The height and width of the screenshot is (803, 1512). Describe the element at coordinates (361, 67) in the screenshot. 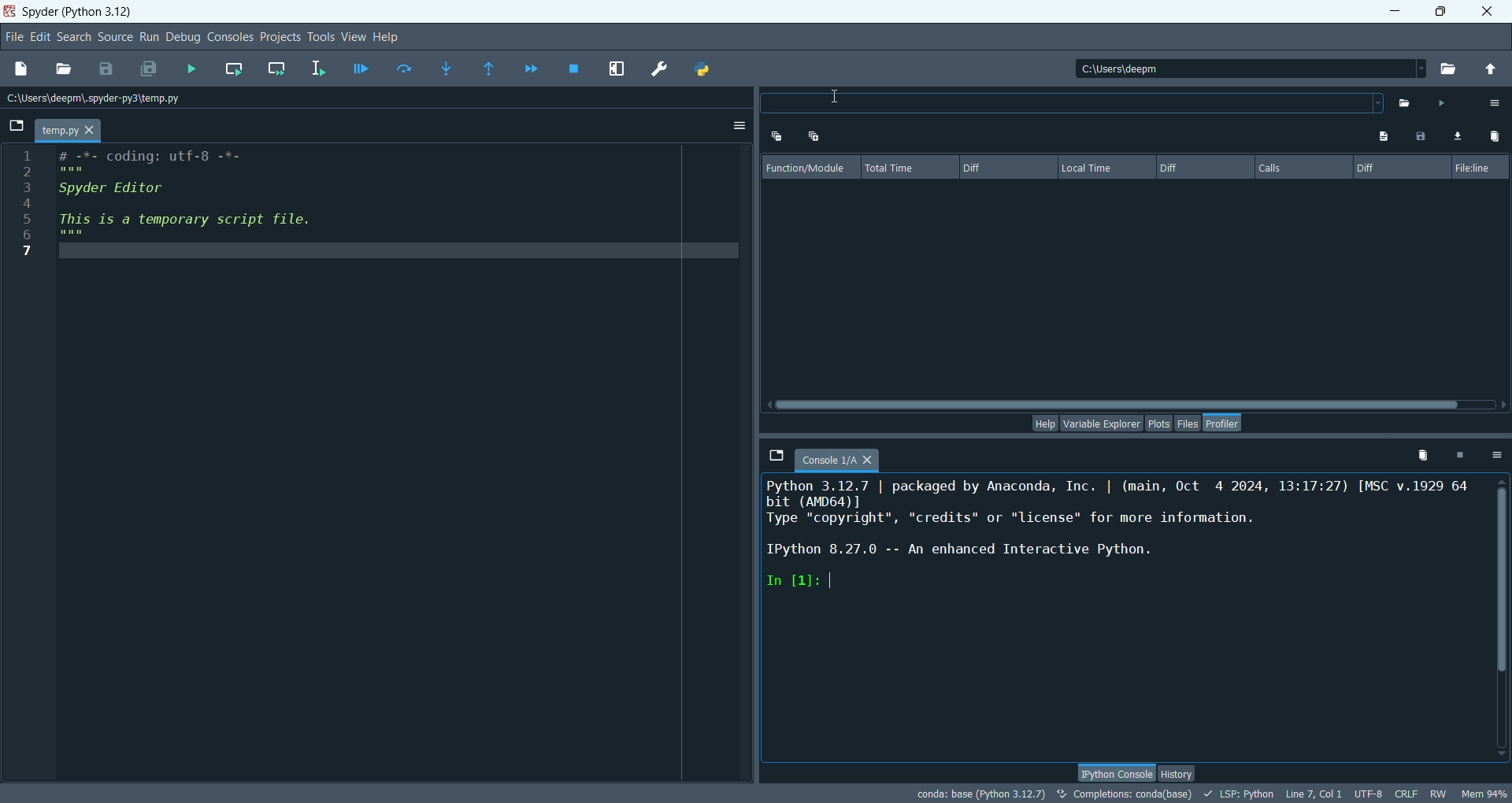

I see `debug files` at that location.